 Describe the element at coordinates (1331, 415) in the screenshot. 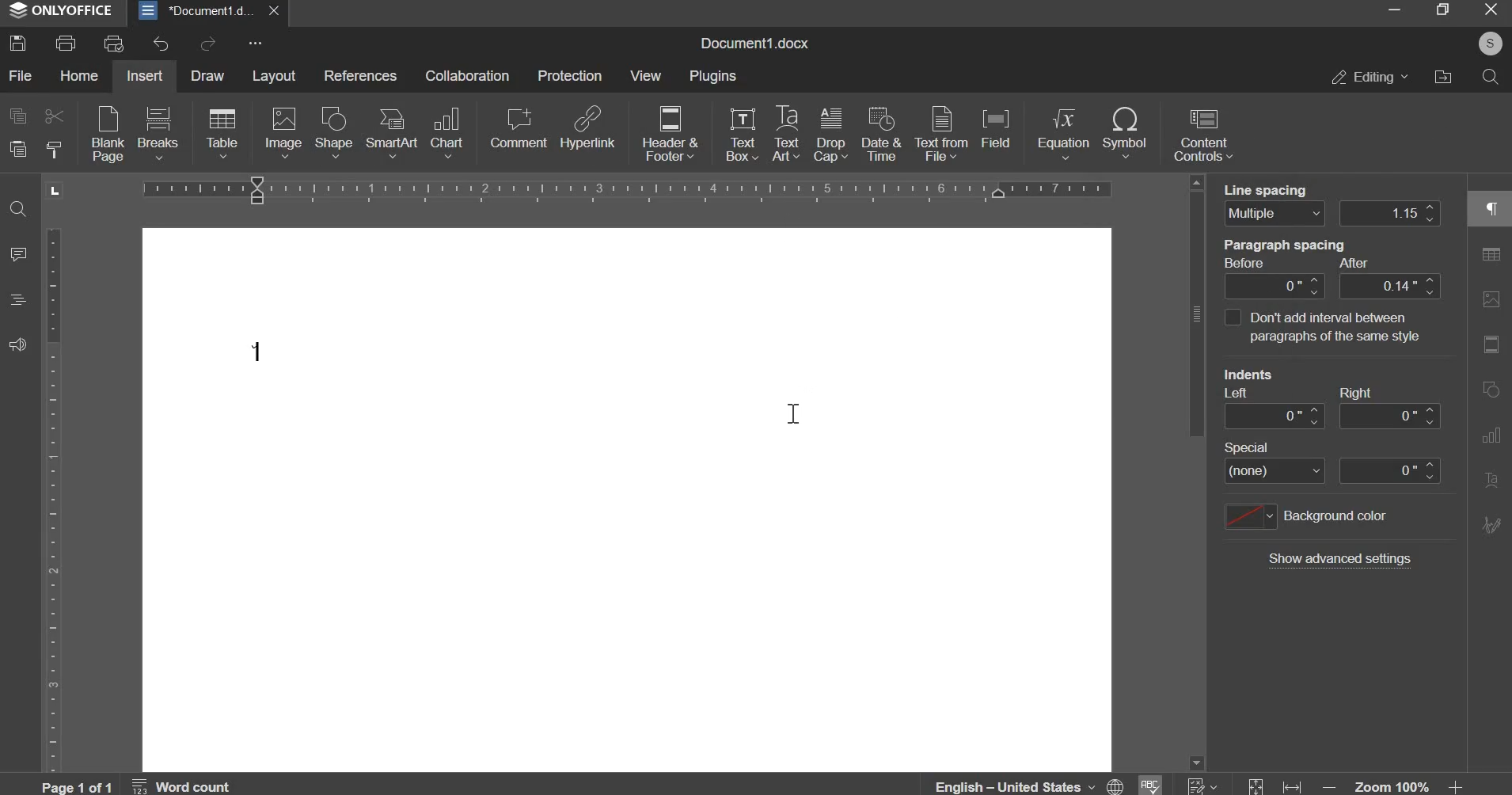

I see `indent` at that location.